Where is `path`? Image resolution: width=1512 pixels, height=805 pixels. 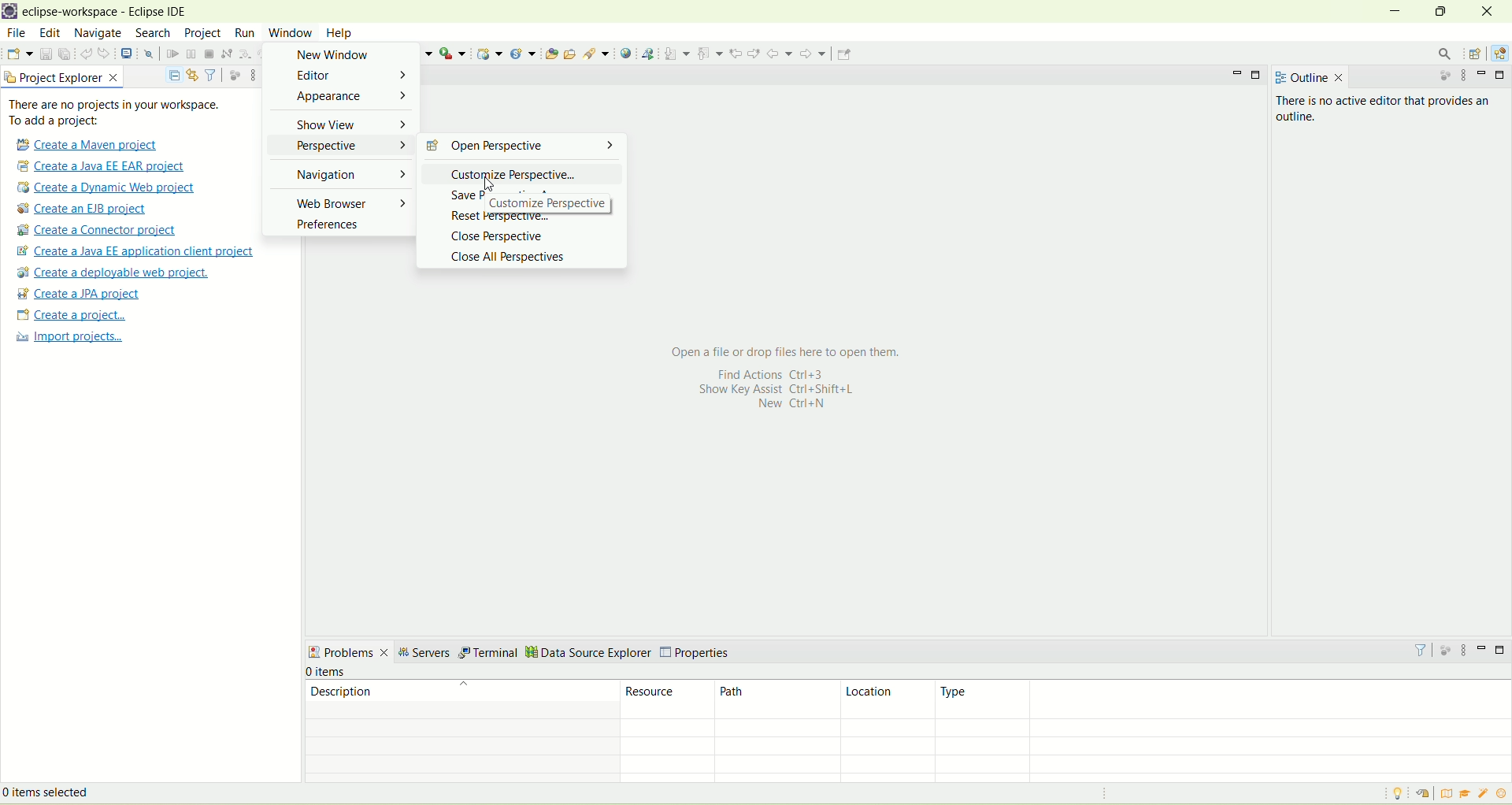
path is located at coordinates (778, 700).